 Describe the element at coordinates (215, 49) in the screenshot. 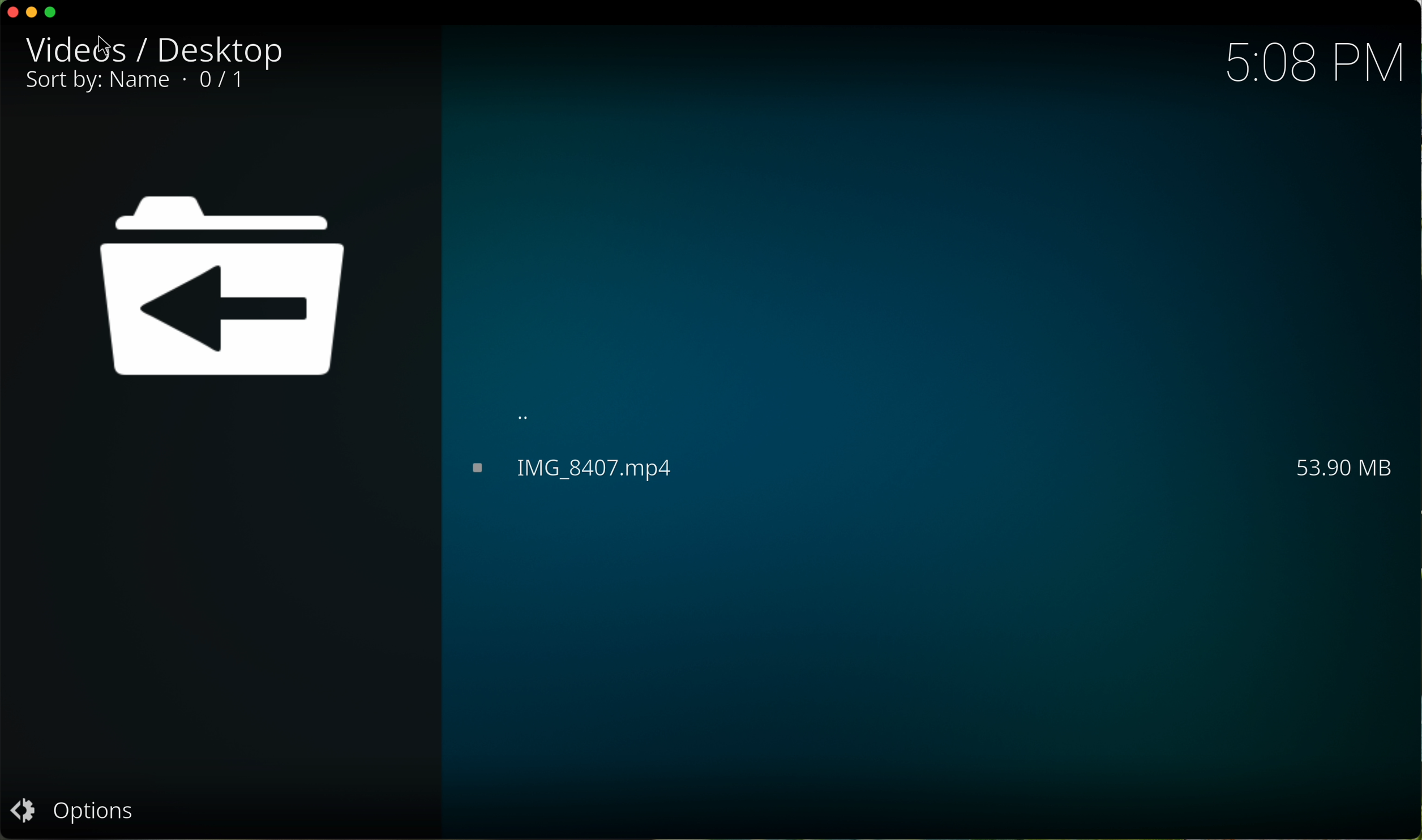

I see `desktop` at that location.